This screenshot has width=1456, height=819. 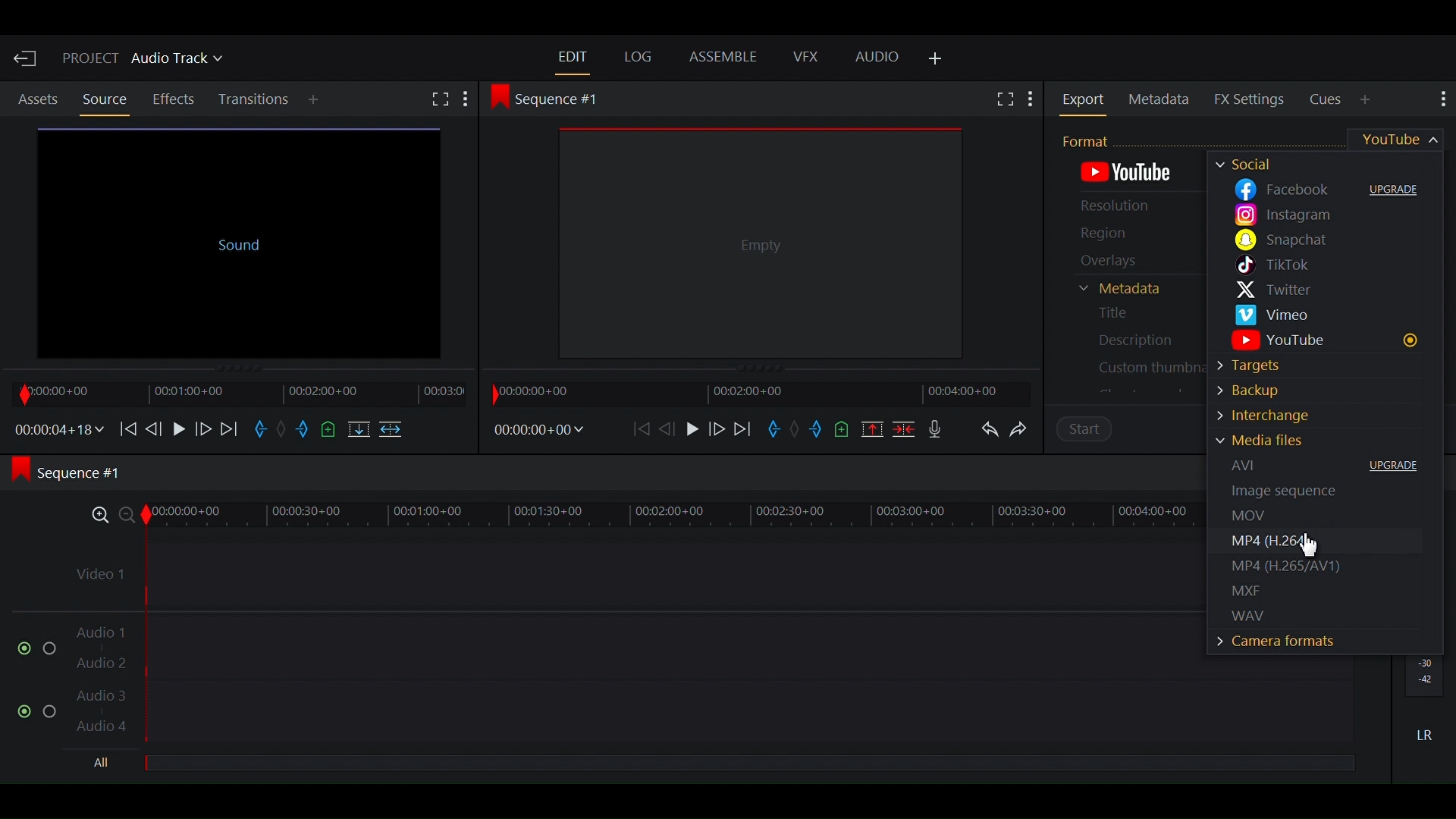 I want to click on MOV, so click(x=1318, y=517).